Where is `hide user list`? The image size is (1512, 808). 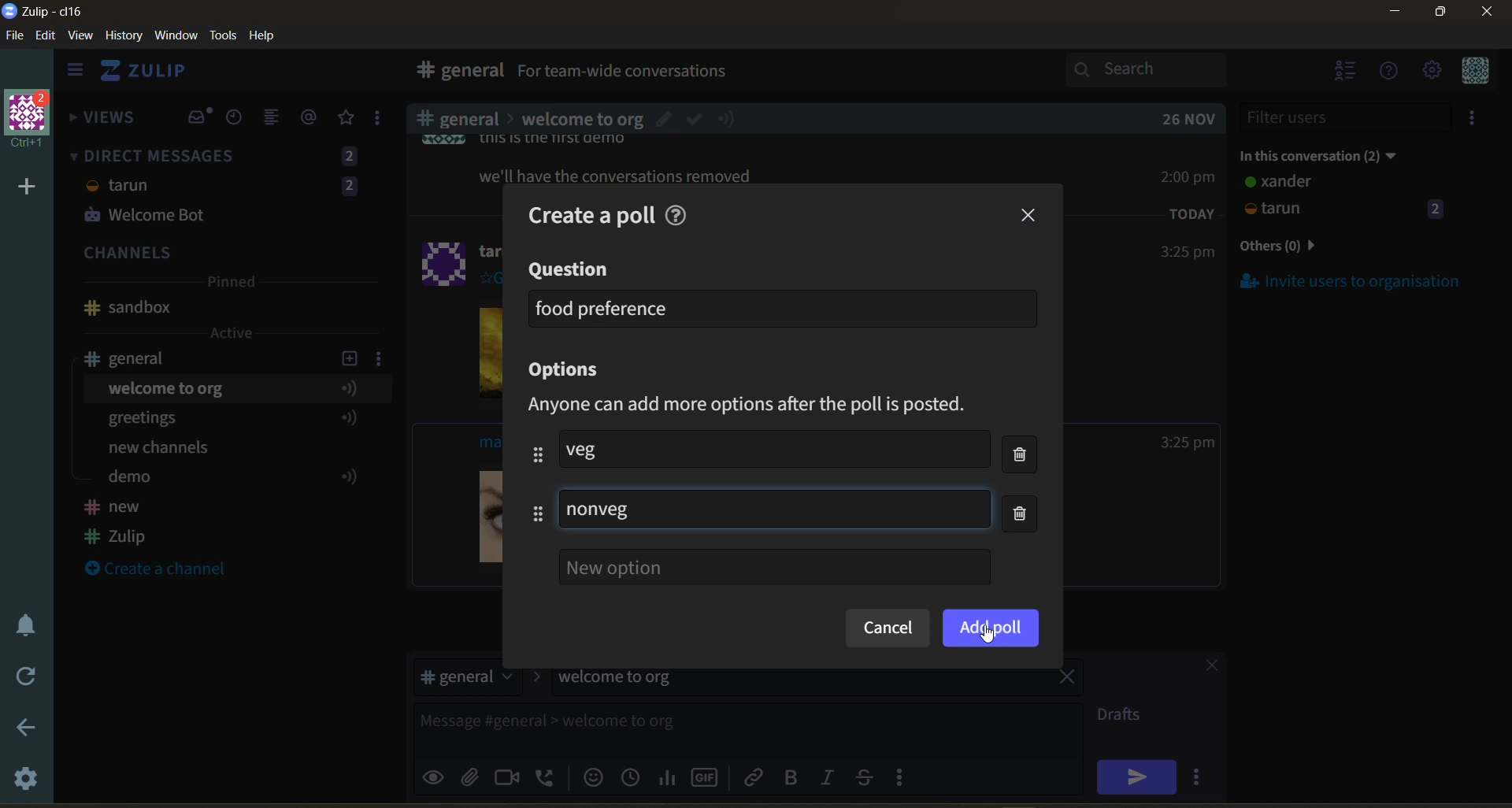 hide user list is located at coordinates (1346, 72).